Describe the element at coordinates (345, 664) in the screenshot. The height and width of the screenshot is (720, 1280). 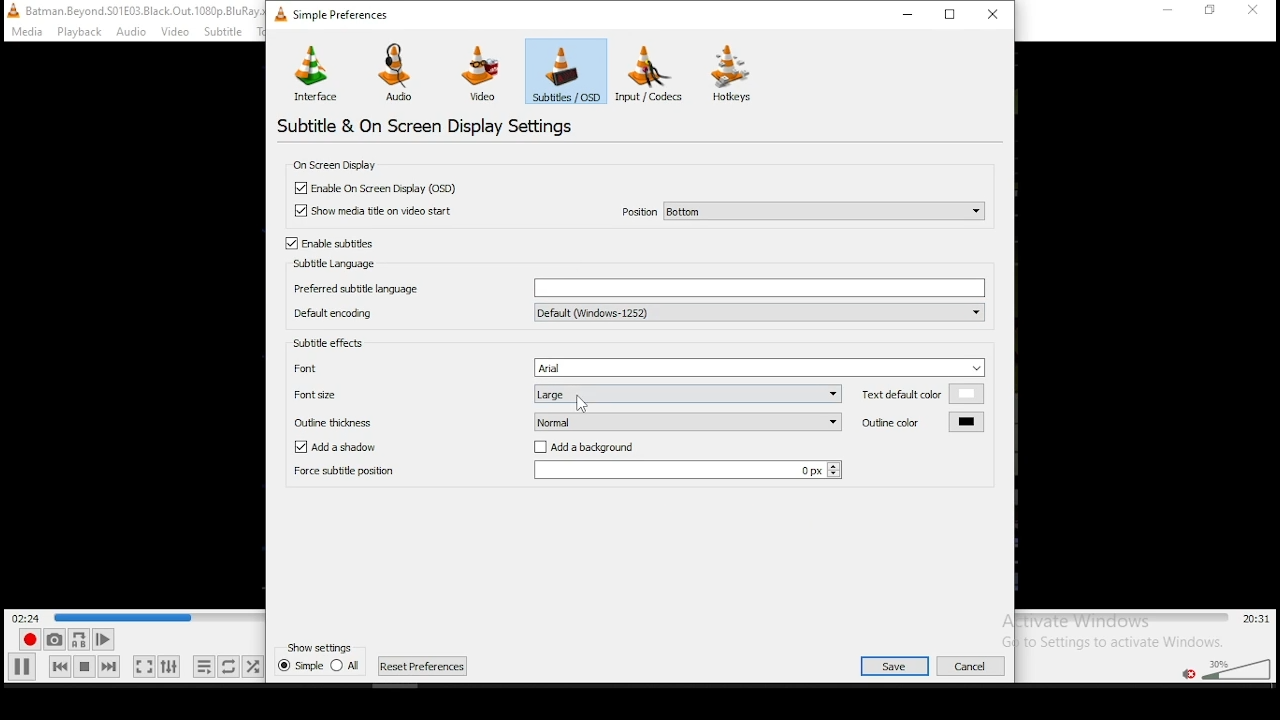
I see `all` at that location.